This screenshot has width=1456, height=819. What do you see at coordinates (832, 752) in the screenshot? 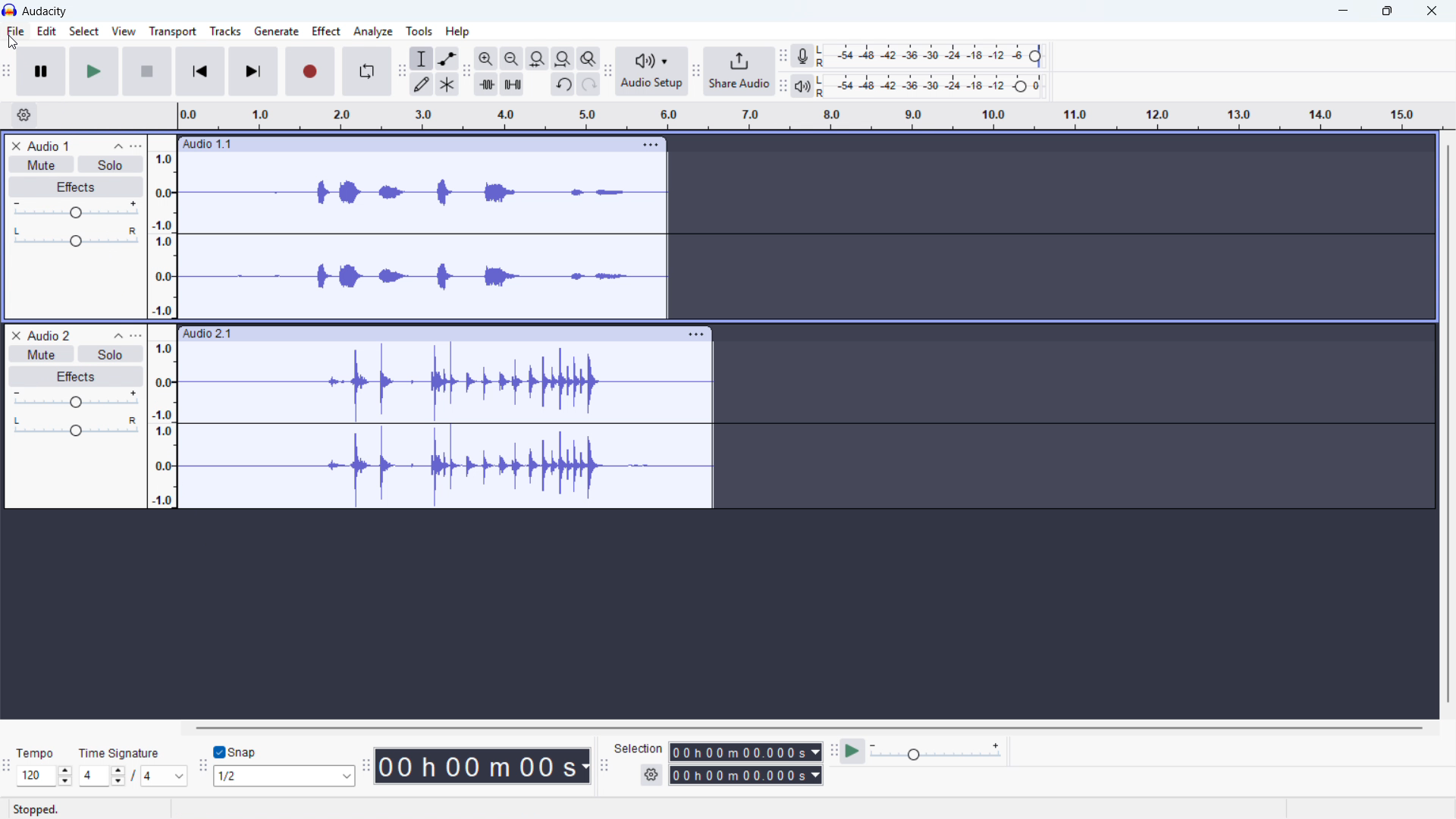
I see `Play at speed toolbar` at bounding box center [832, 752].